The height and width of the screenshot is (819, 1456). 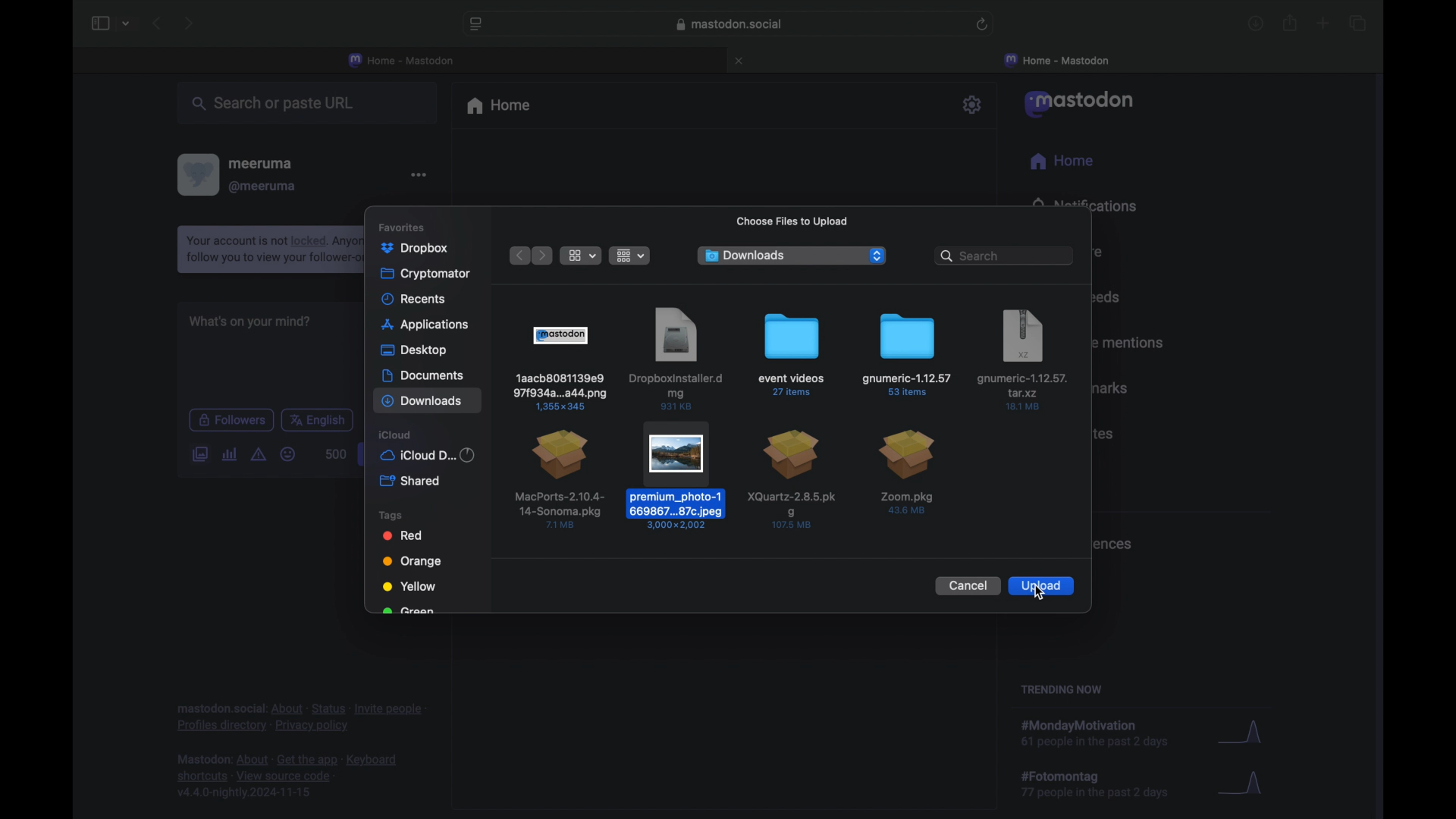 What do you see at coordinates (909, 473) in the screenshot?
I see `file` at bounding box center [909, 473].